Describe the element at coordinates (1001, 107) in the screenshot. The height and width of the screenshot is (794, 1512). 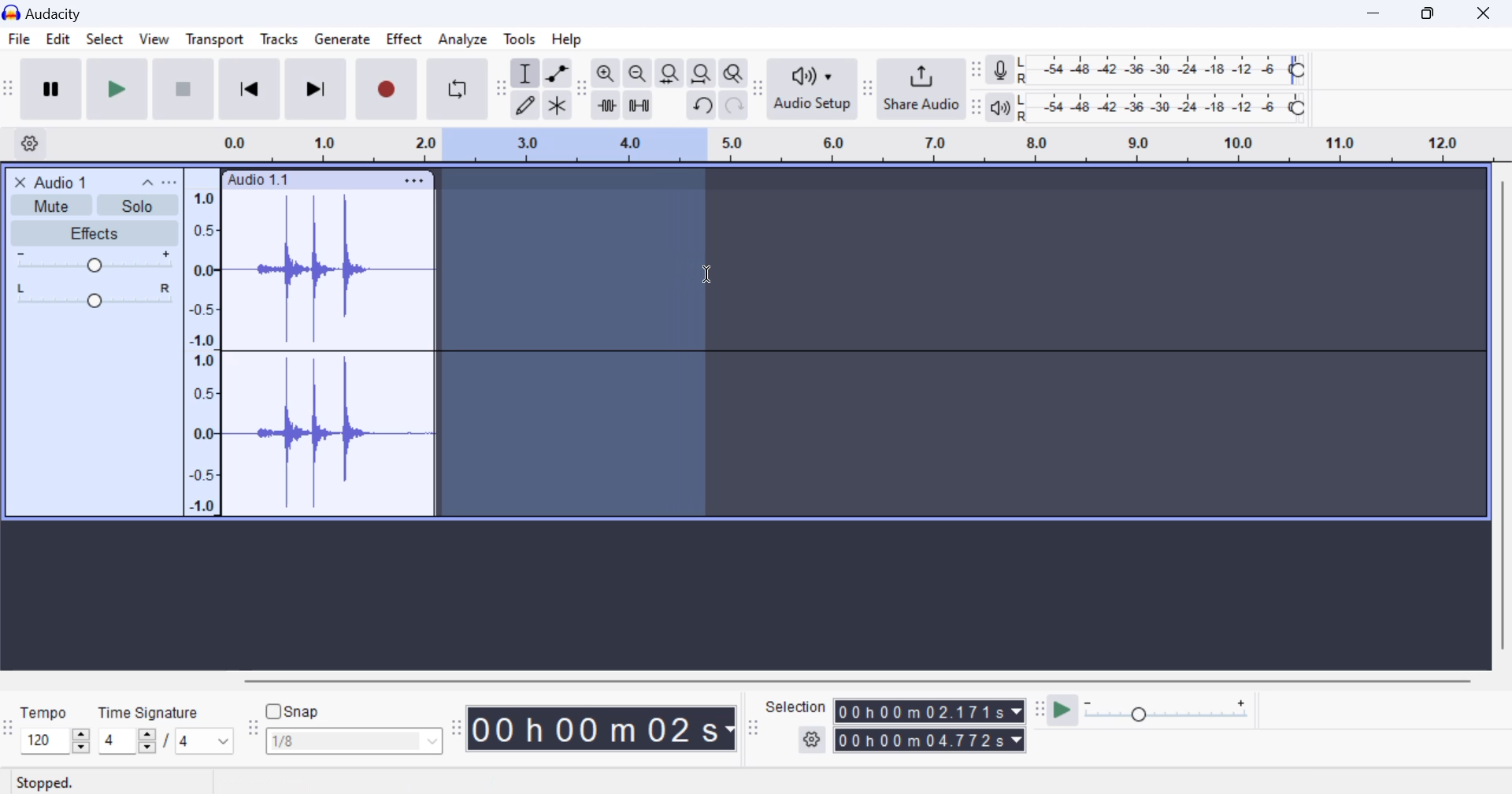
I see `playback meter` at that location.